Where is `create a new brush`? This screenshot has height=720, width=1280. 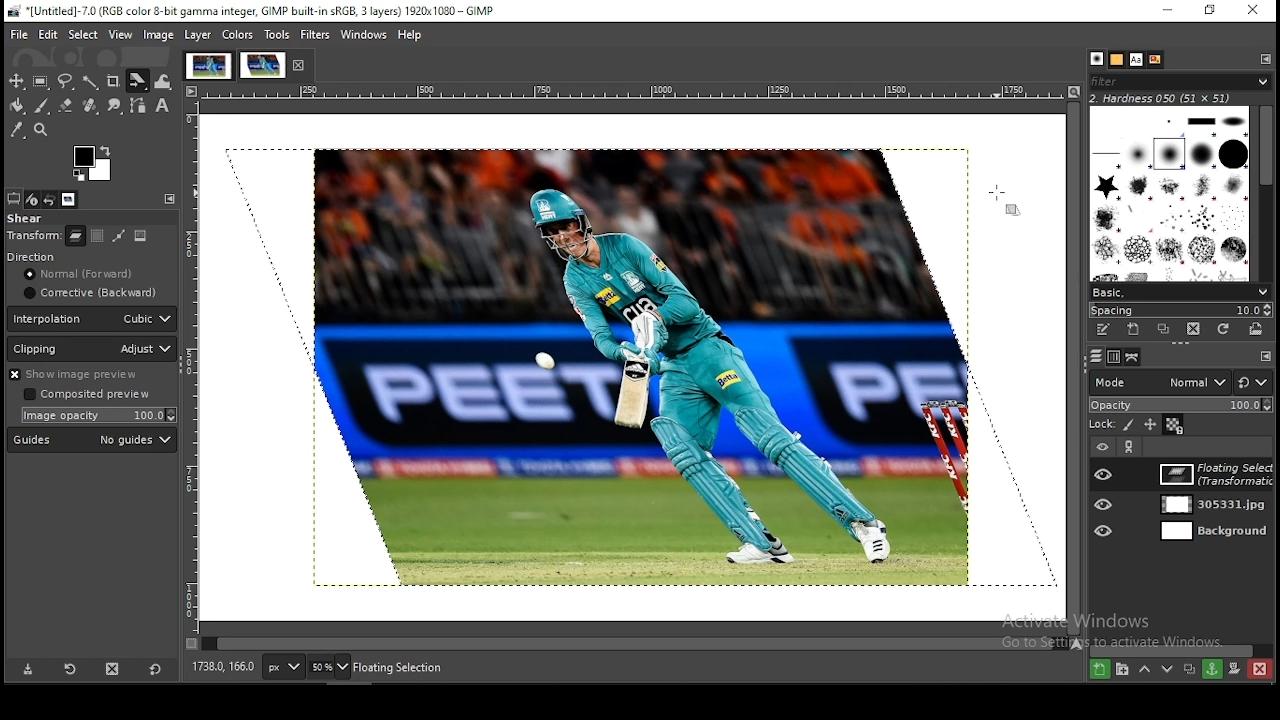 create a new brush is located at coordinates (1132, 329).